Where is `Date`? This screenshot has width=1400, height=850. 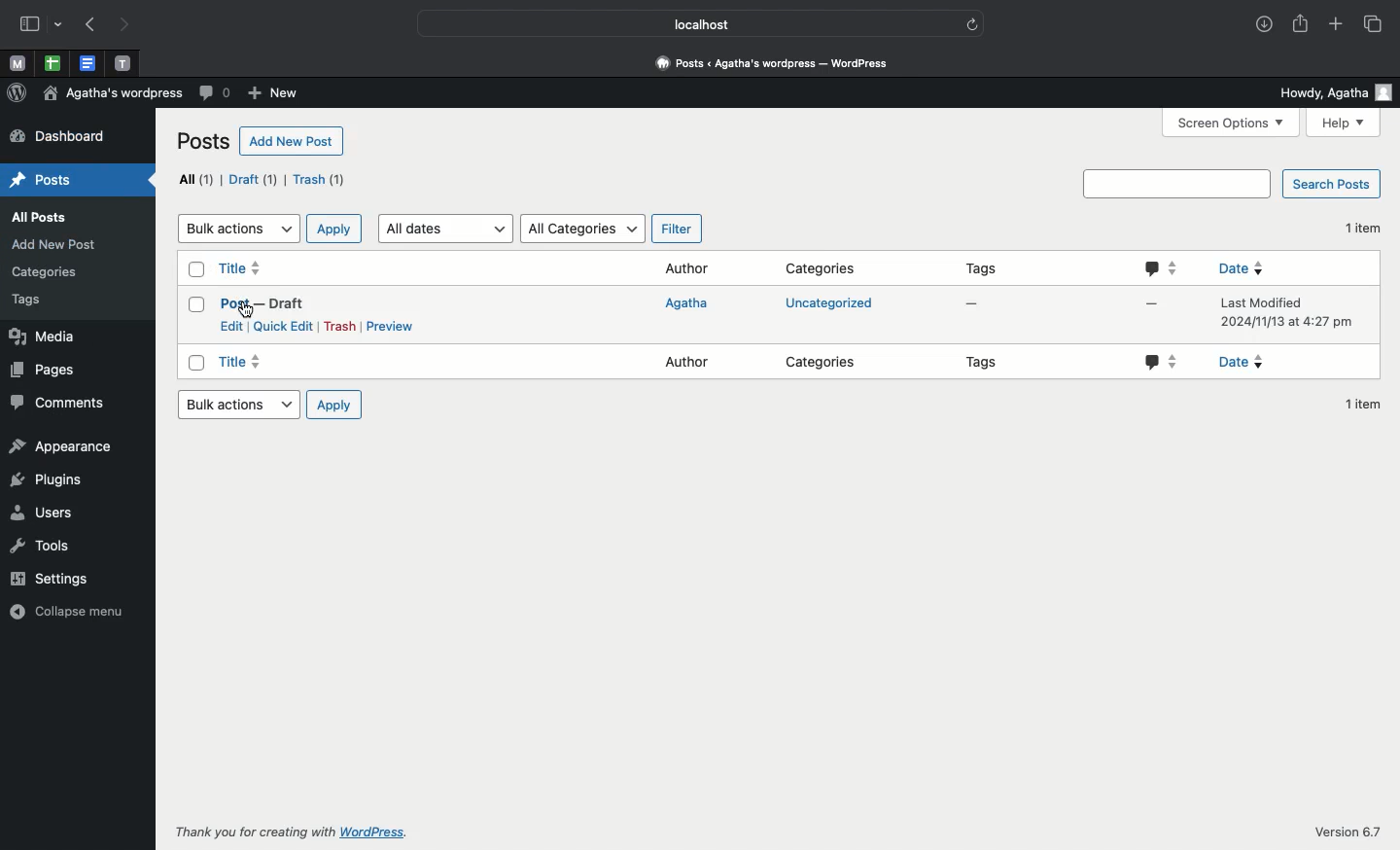 Date is located at coordinates (1246, 363).